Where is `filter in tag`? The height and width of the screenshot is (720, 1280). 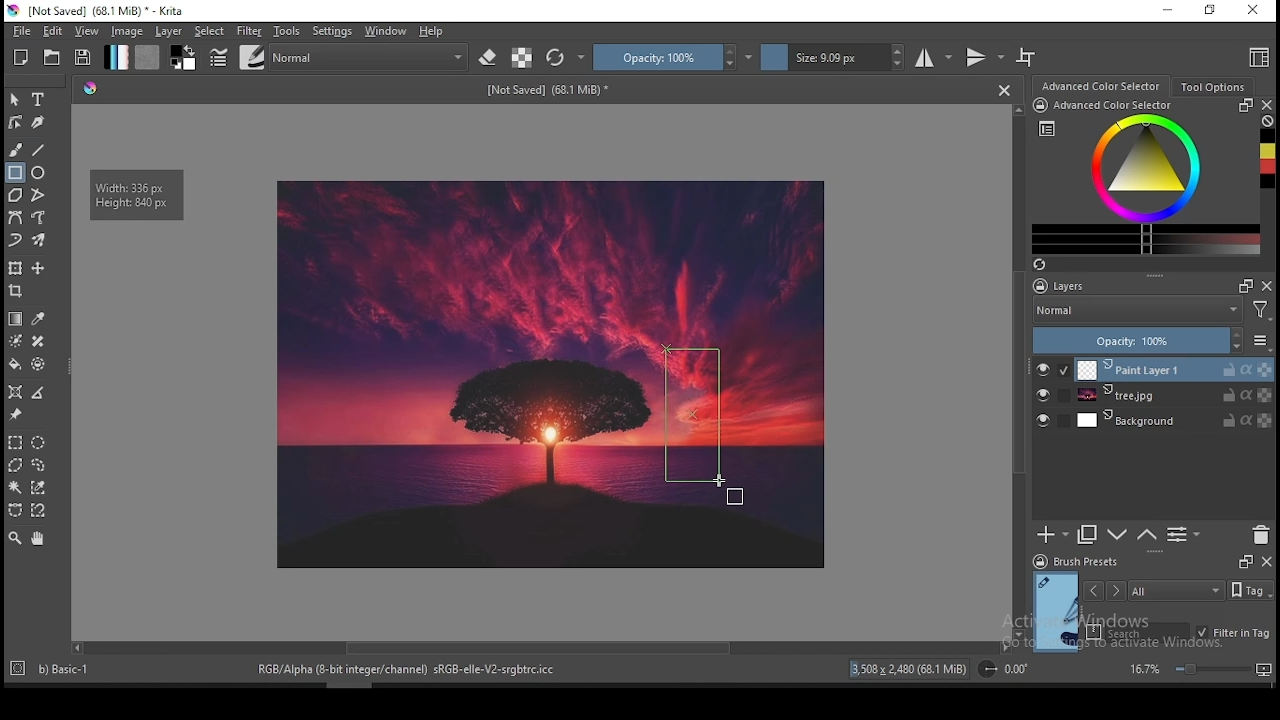 filter in tag is located at coordinates (1234, 631).